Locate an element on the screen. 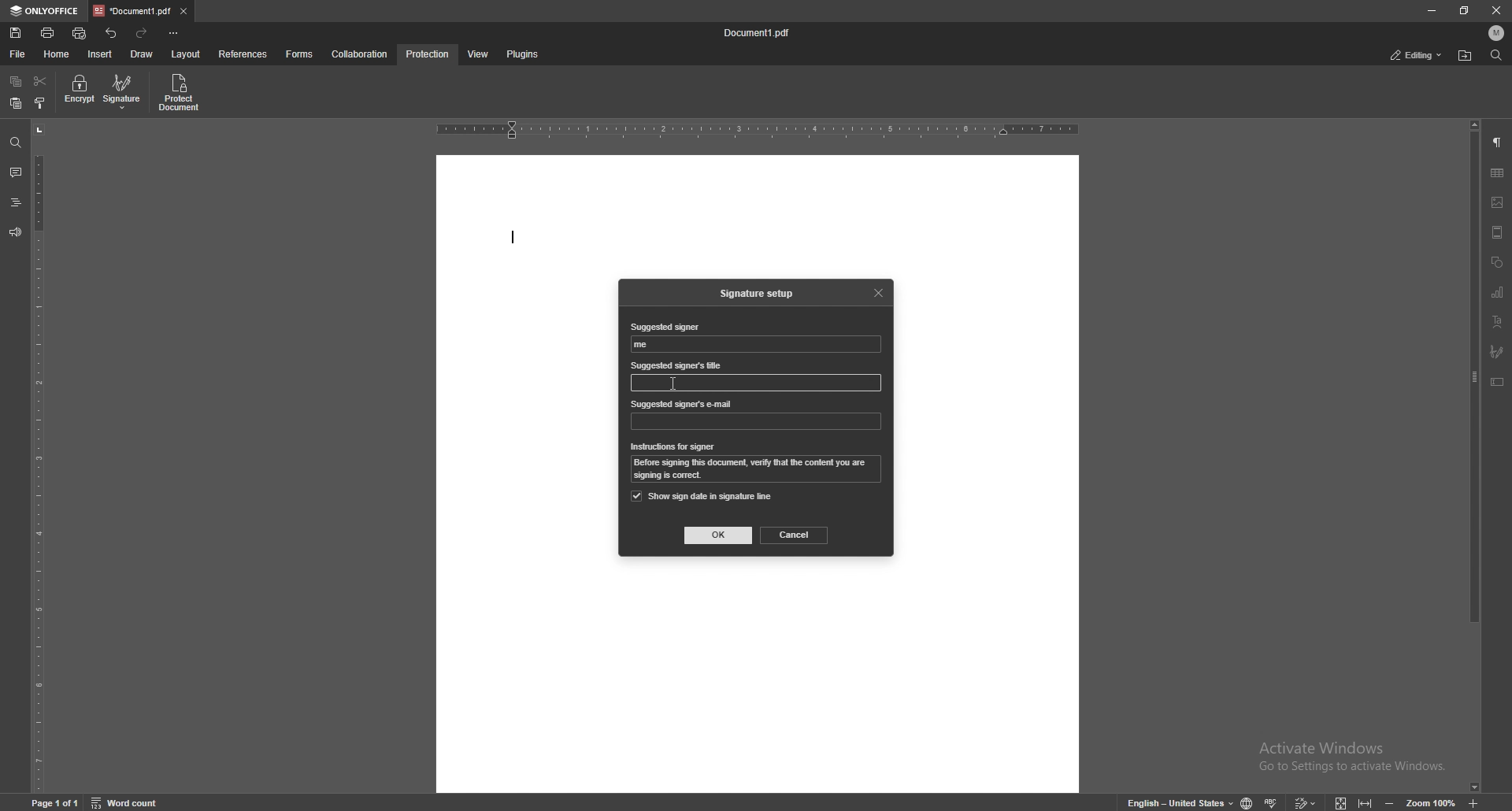 This screenshot has height=811, width=1512. text art is located at coordinates (1497, 323).